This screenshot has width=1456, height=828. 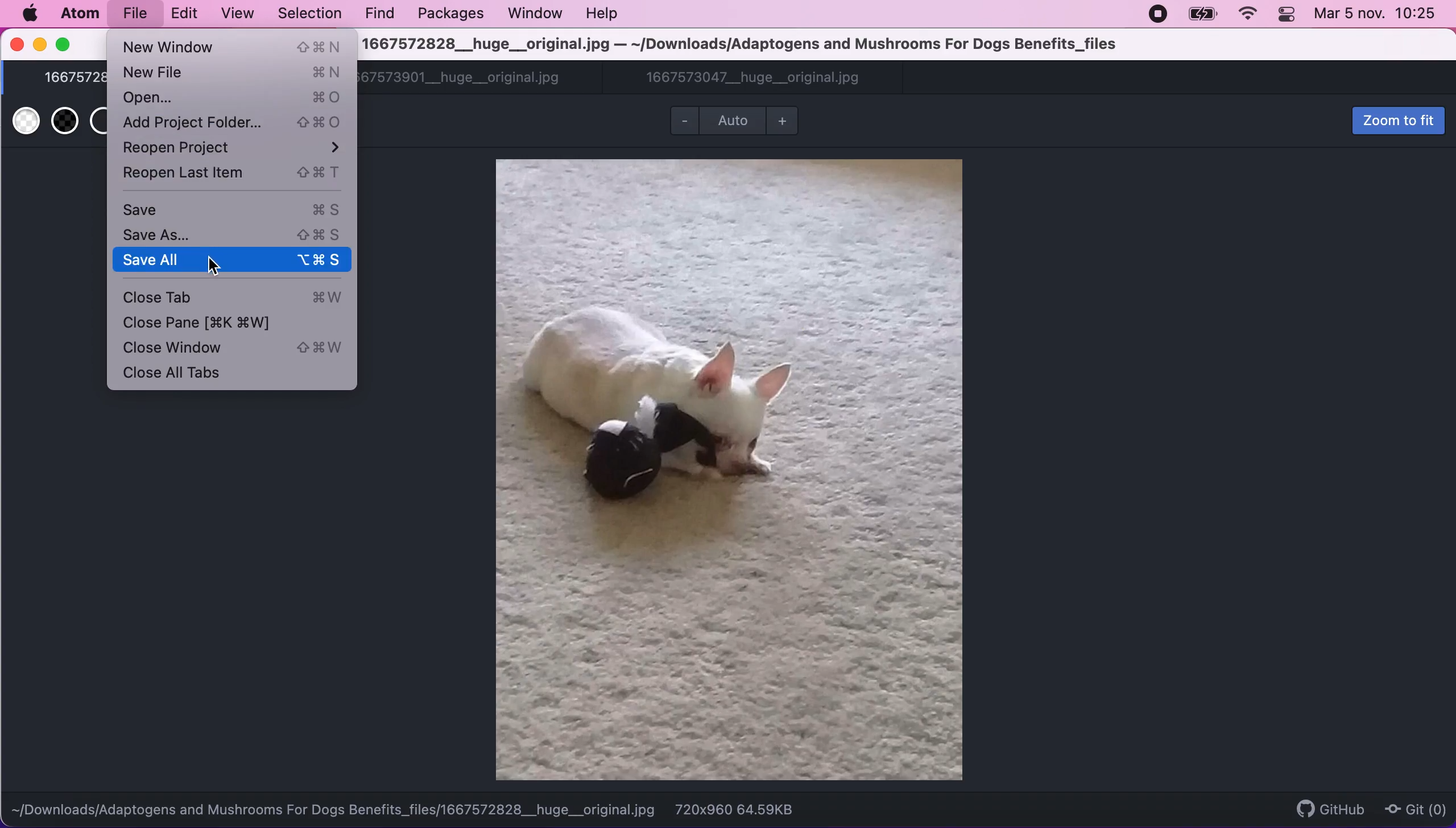 I want to click on use back transparent background, so click(x=65, y=125).